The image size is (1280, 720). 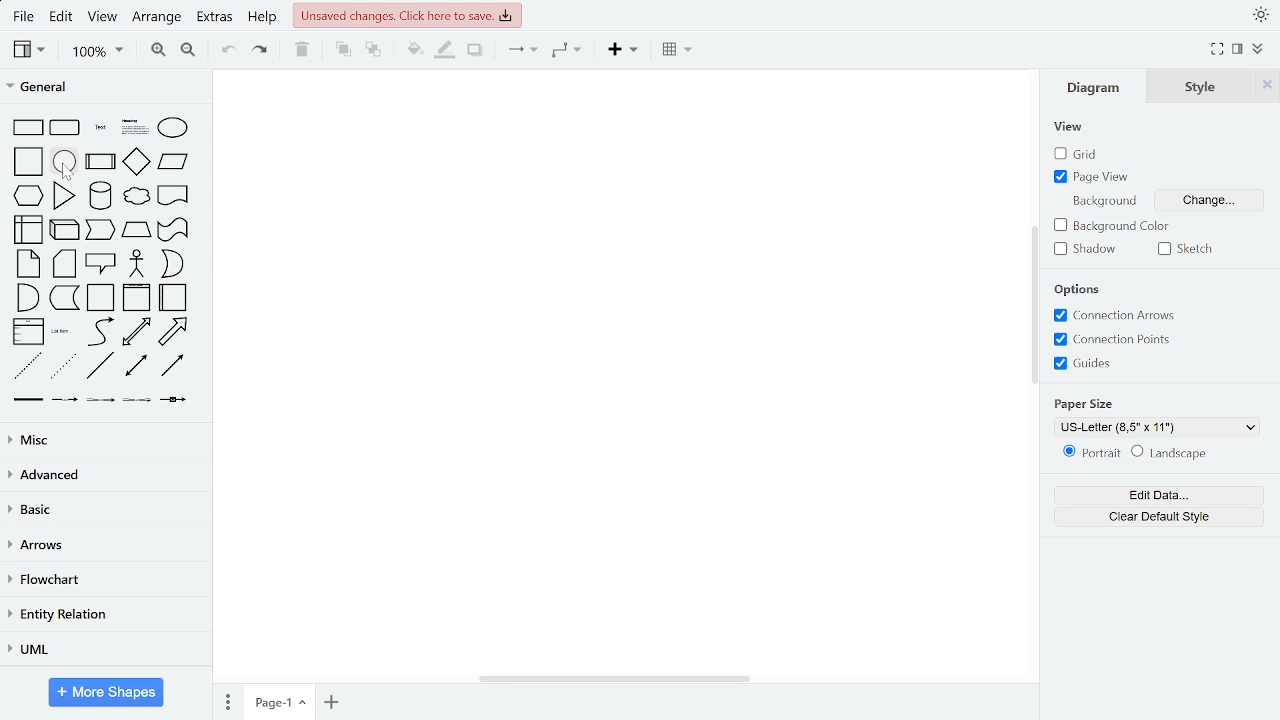 What do you see at coordinates (65, 399) in the screenshot?
I see `link with label` at bounding box center [65, 399].